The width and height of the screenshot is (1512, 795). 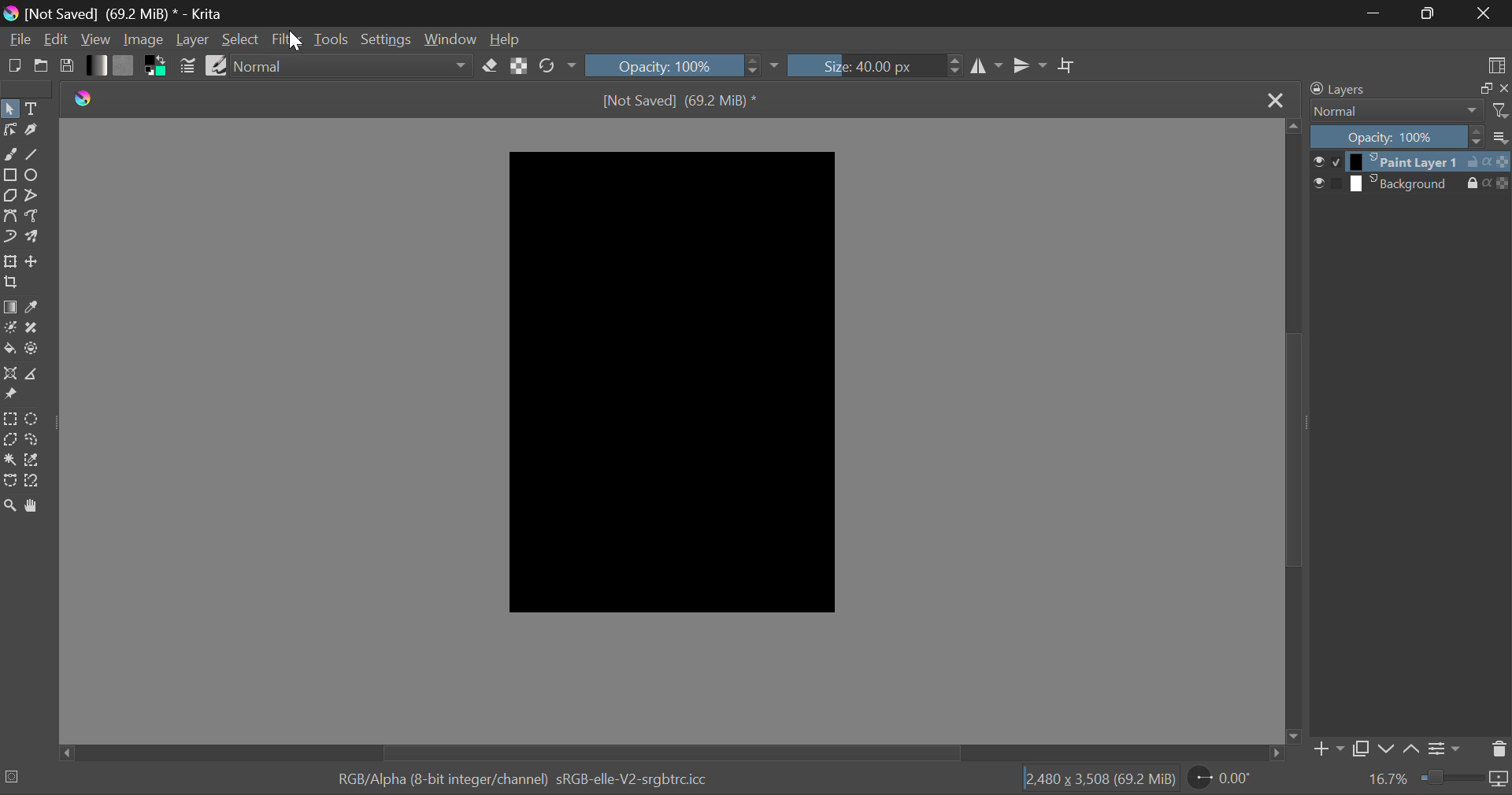 What do you see at coordinates (1293, 423) in the screenshot?
I see `Scroll Bar` at bounding box center [1293, 423].